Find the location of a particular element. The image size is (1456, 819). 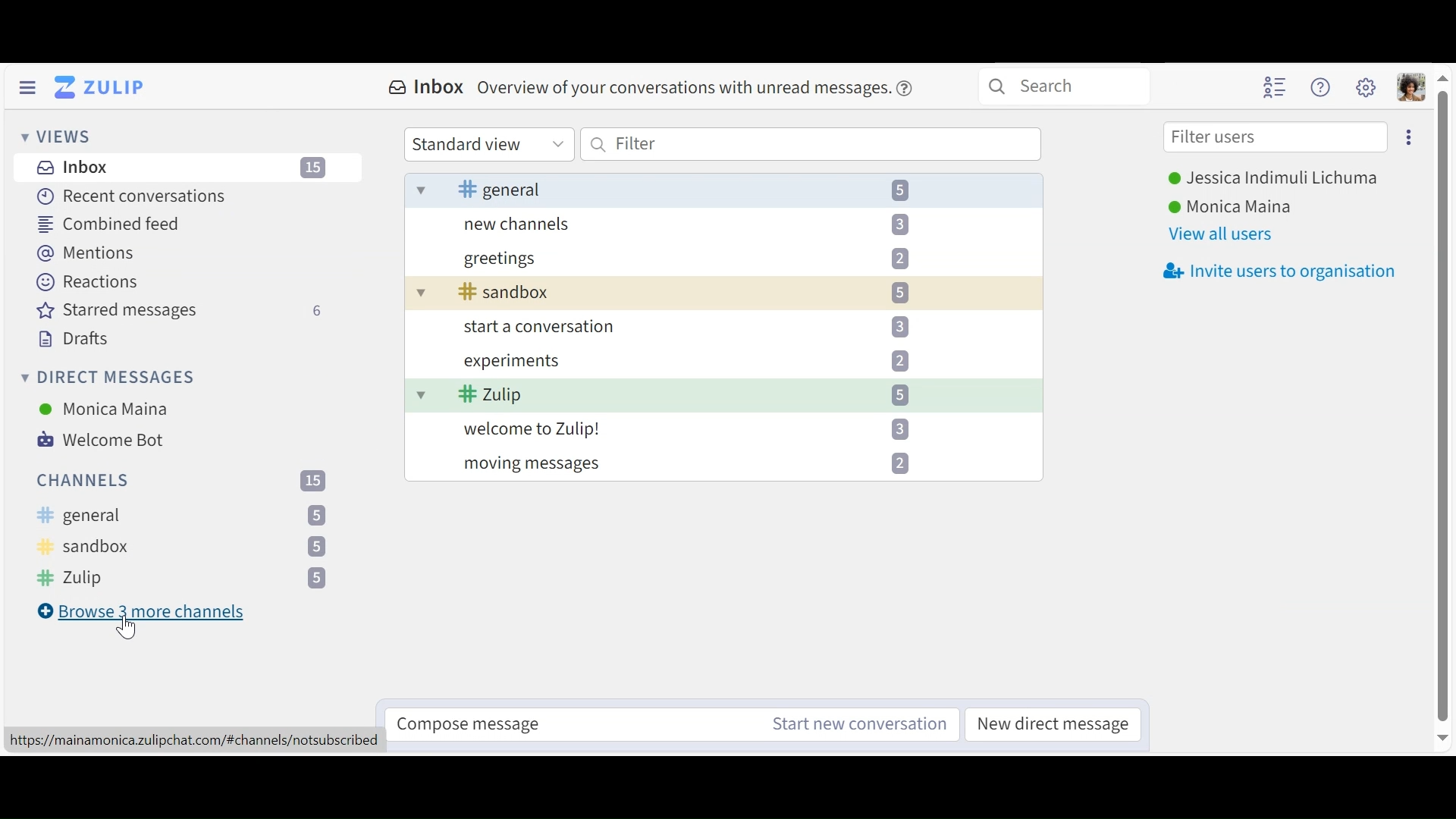

View all users is located at coordinates (1220, 236).